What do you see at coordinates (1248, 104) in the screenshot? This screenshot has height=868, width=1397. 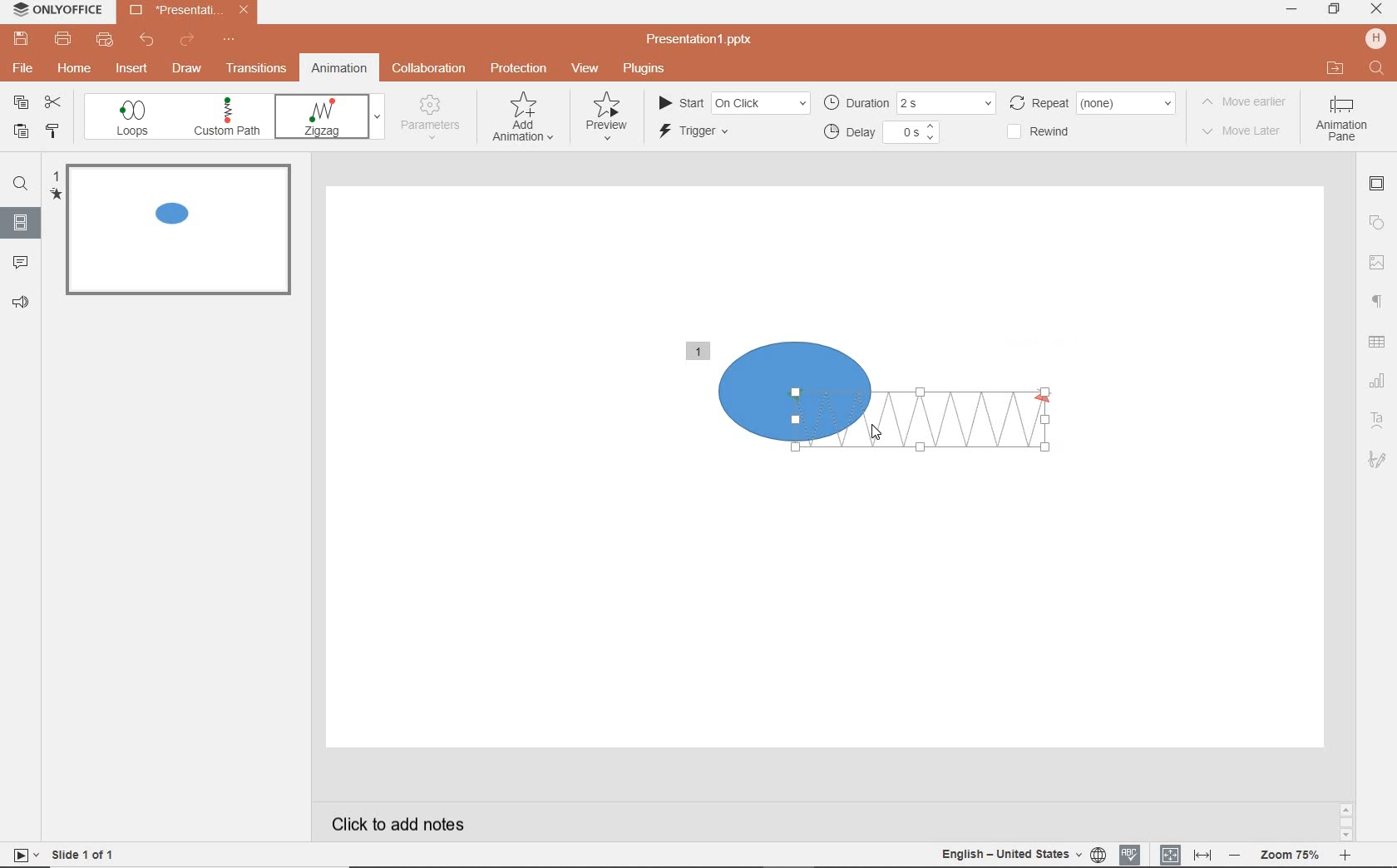 I see `move earlier` at bounding box center [1248, 104].